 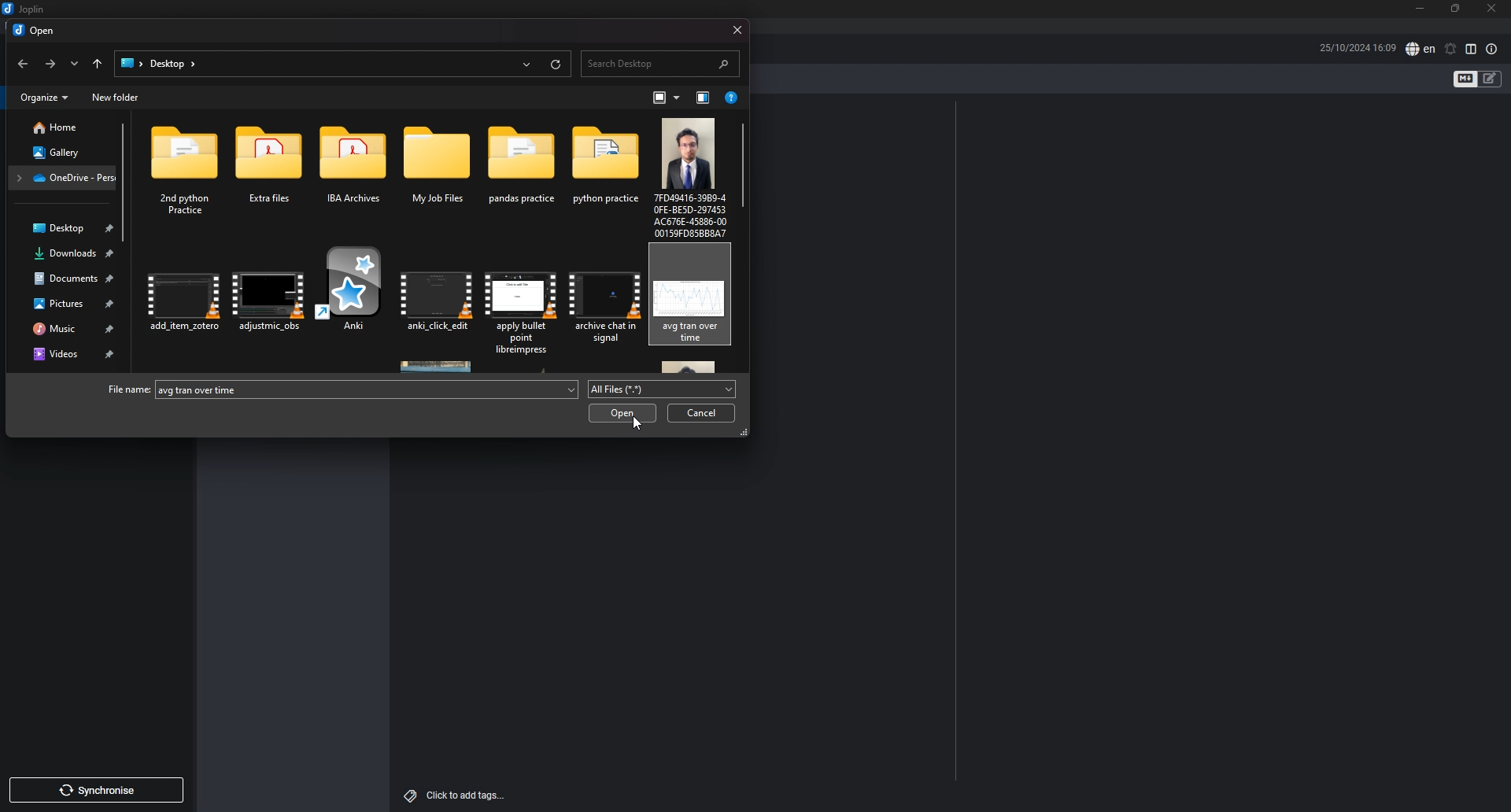 What do you see at coordinates (371, 391) in the screenshot?
I see `avg.tran over time` at bounding box center [371, 391].